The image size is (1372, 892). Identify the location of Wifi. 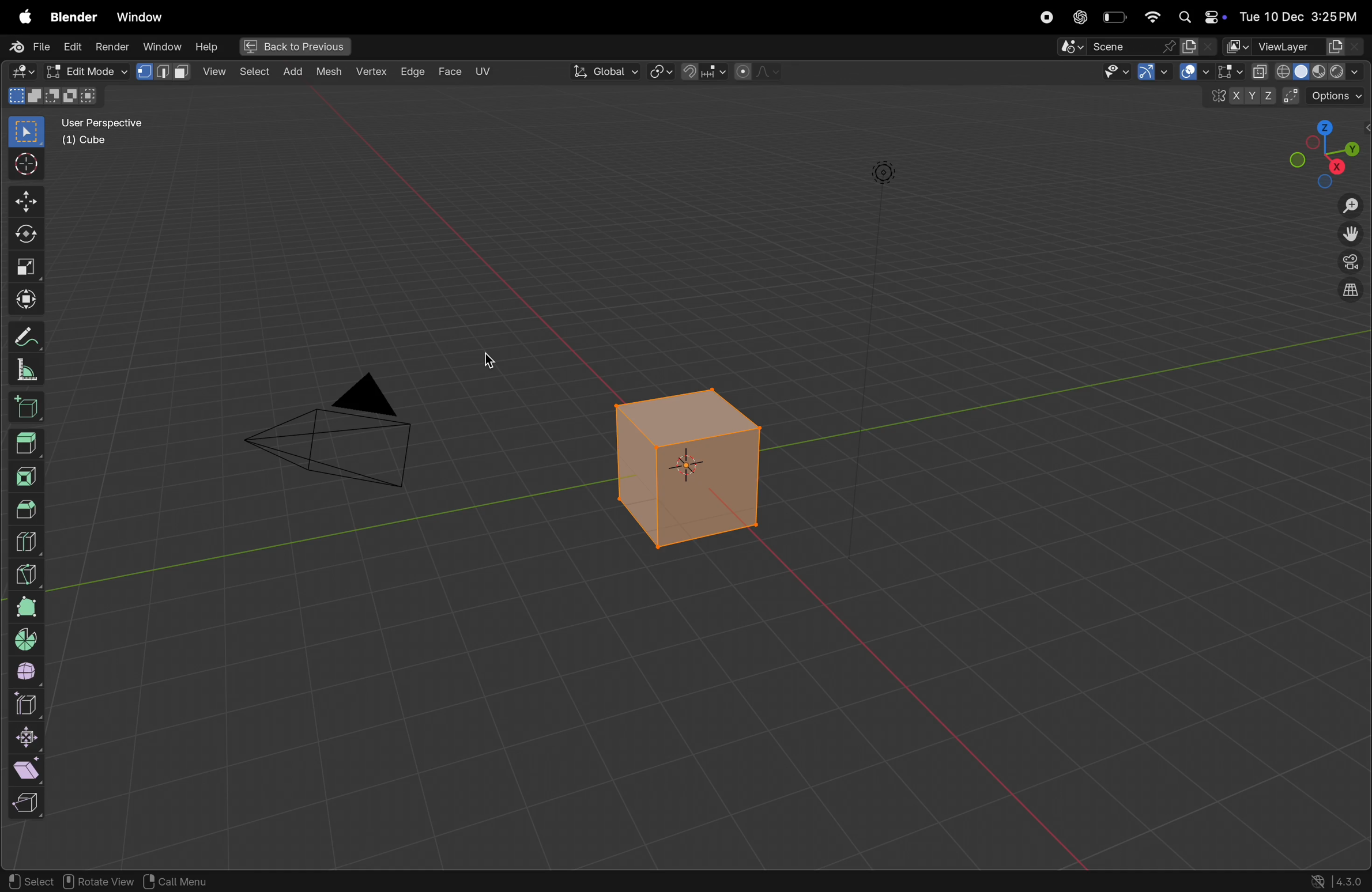
(1150, 17).